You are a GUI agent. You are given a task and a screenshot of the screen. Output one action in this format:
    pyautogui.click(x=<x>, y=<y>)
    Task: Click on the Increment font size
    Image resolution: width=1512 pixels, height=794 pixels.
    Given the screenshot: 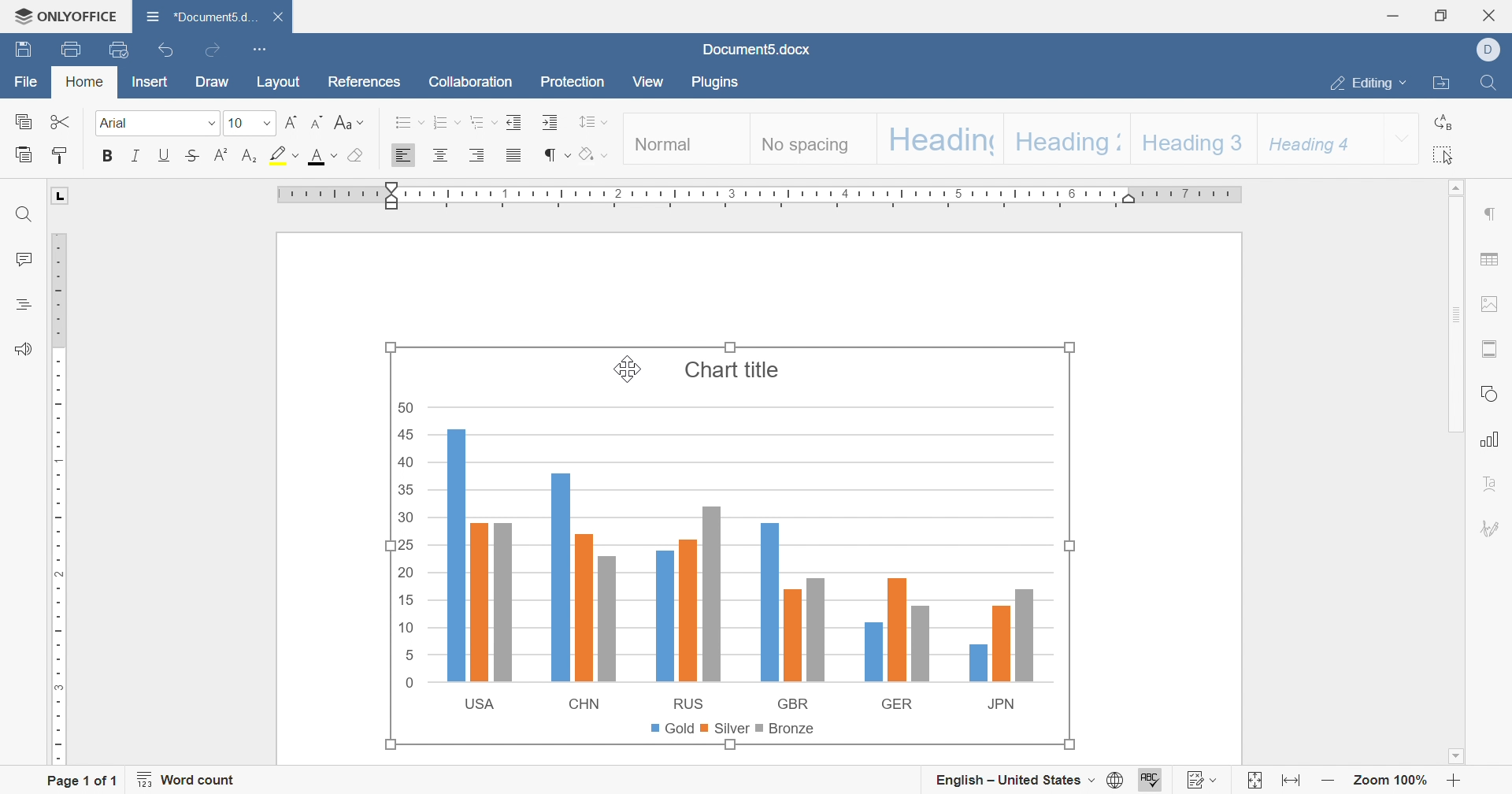 What is the action you would take?
    pyautogui.click(x=292, y=123)
    